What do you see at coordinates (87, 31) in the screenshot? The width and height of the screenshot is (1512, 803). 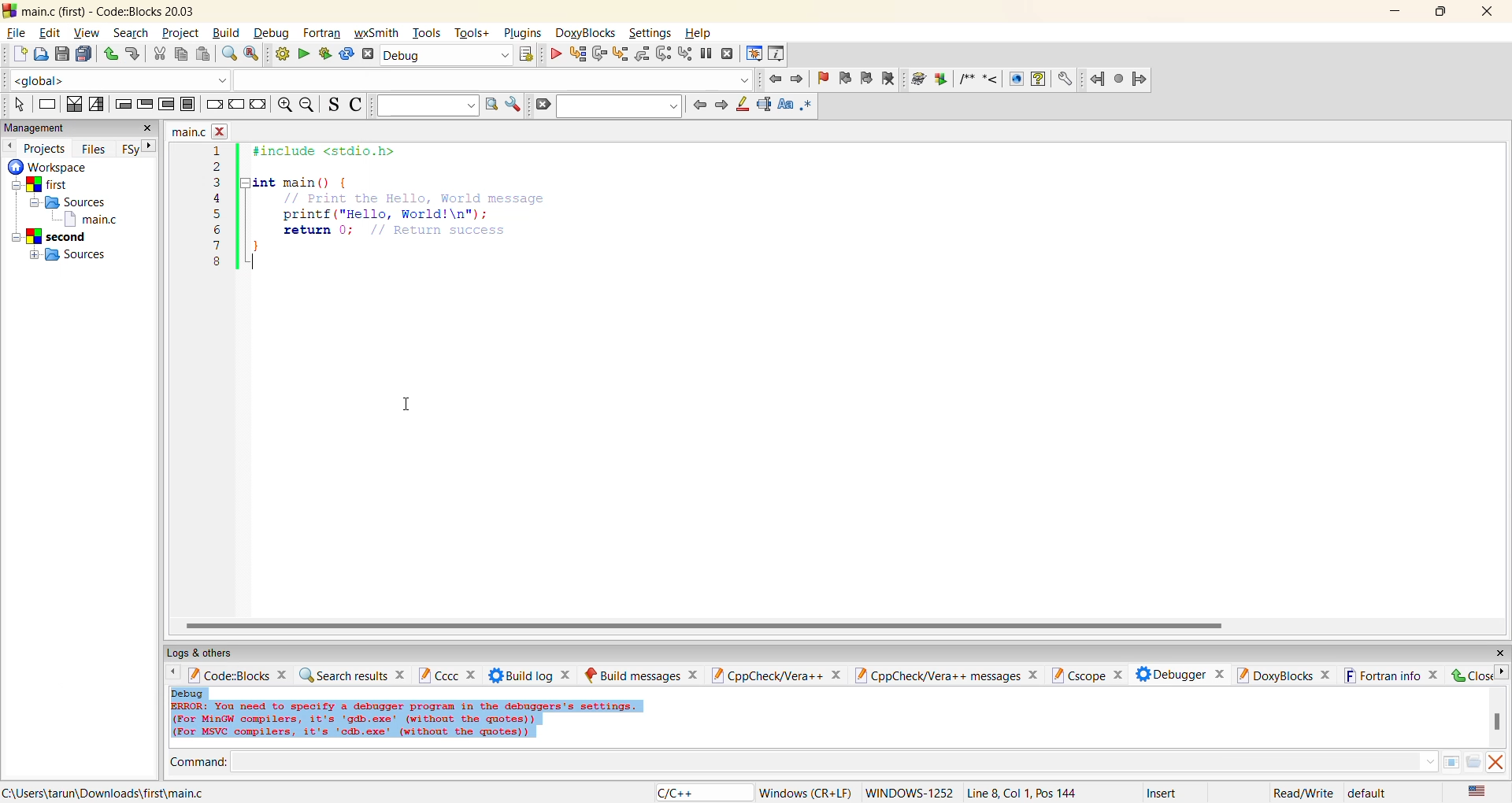 I see `view` at bounding box center [87, 31].